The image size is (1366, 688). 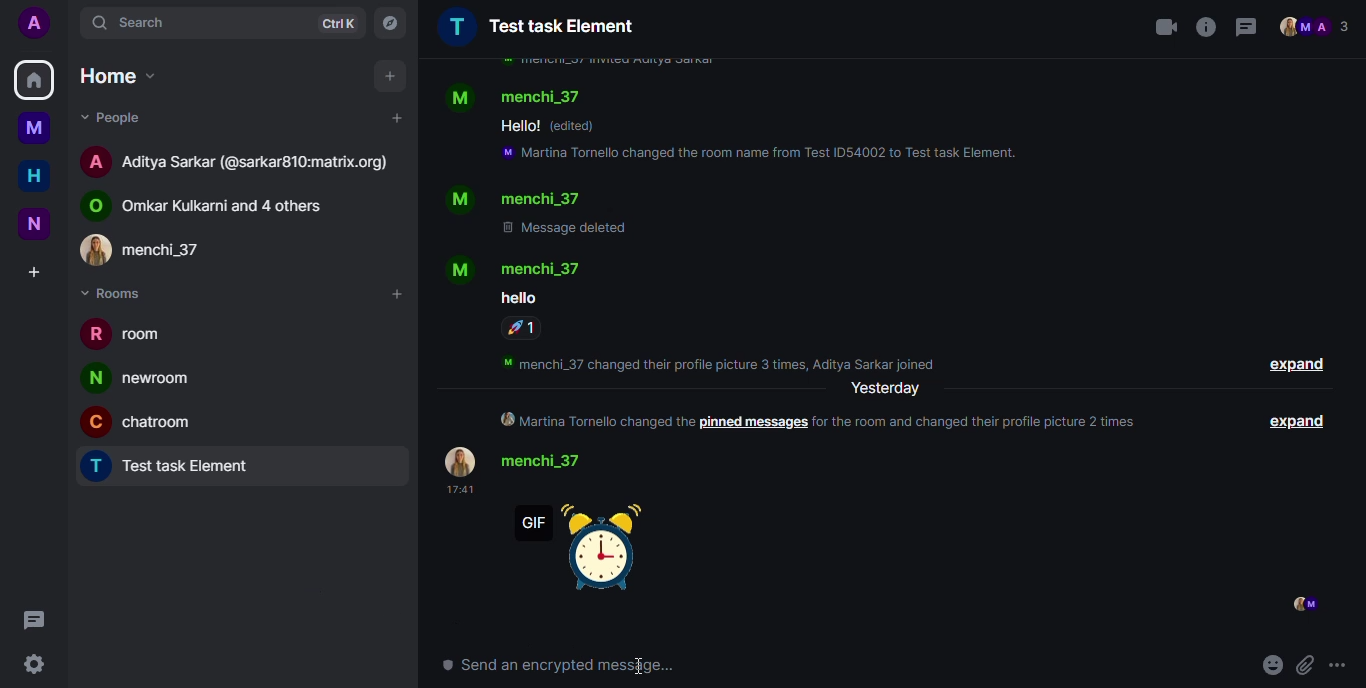 I want to click on ctrlK, so click(x=333, y=22).